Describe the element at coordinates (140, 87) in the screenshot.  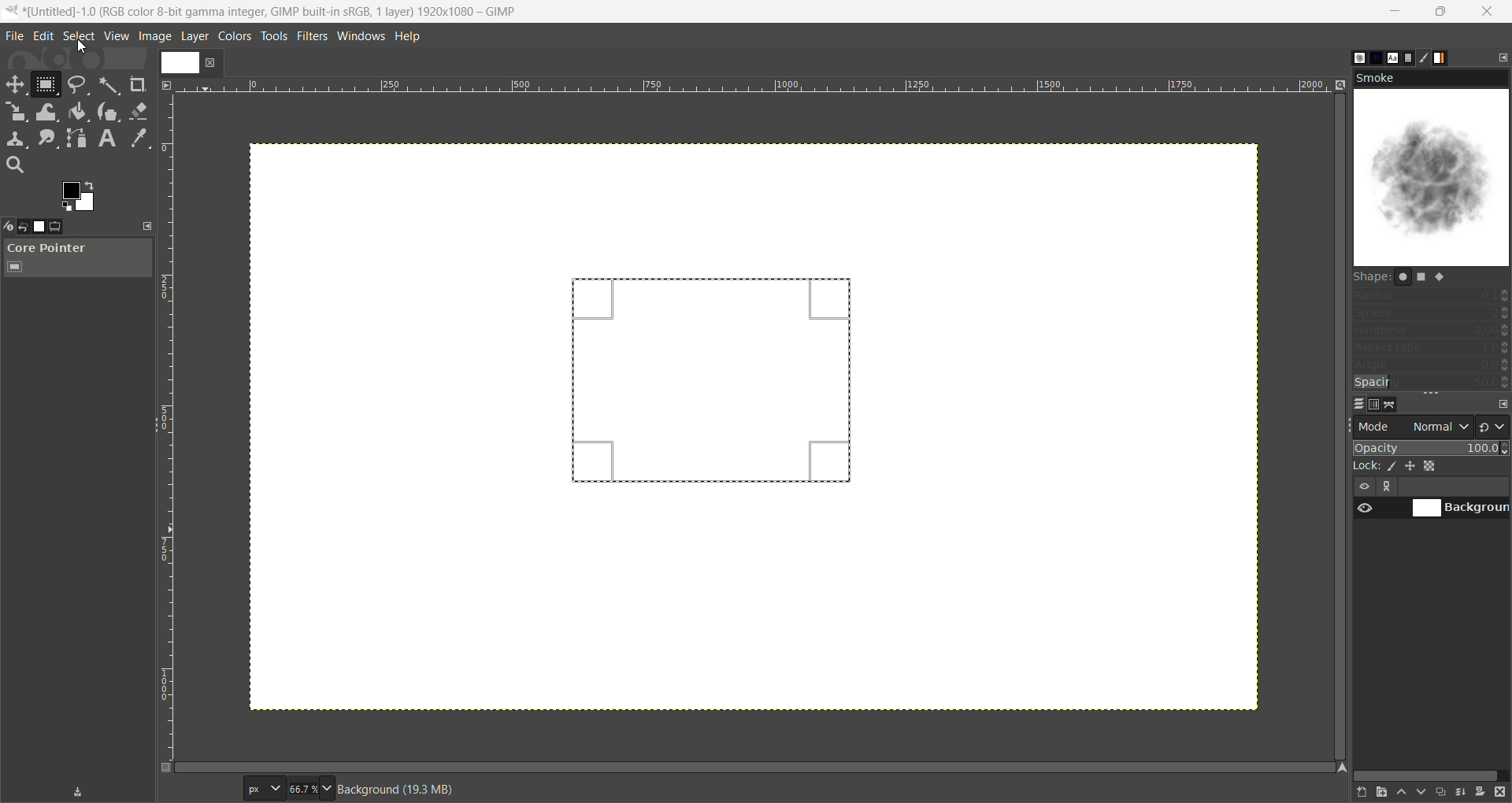
I see `crop` at that location.